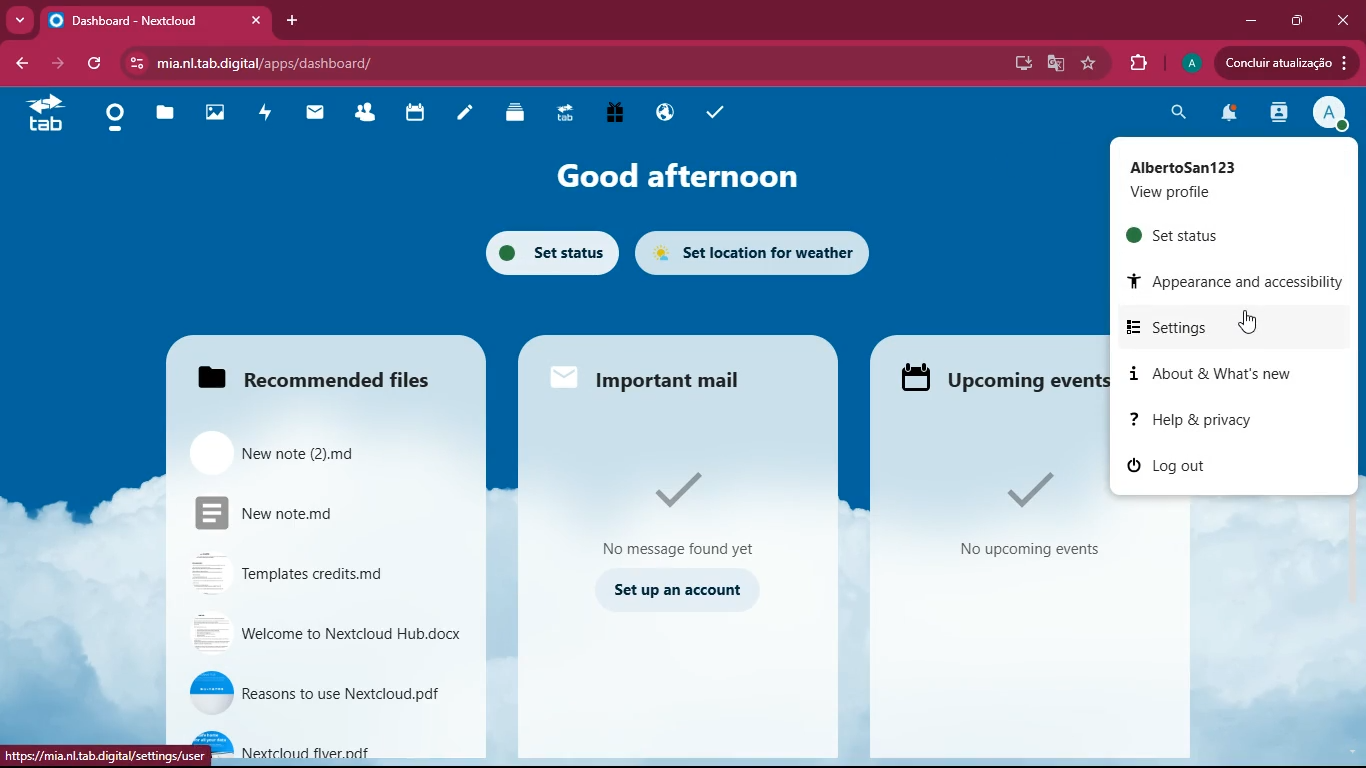 Image resolution: width=1366 pixels, height=768 pixels. I want to click on google translate, so click(1054, 63).